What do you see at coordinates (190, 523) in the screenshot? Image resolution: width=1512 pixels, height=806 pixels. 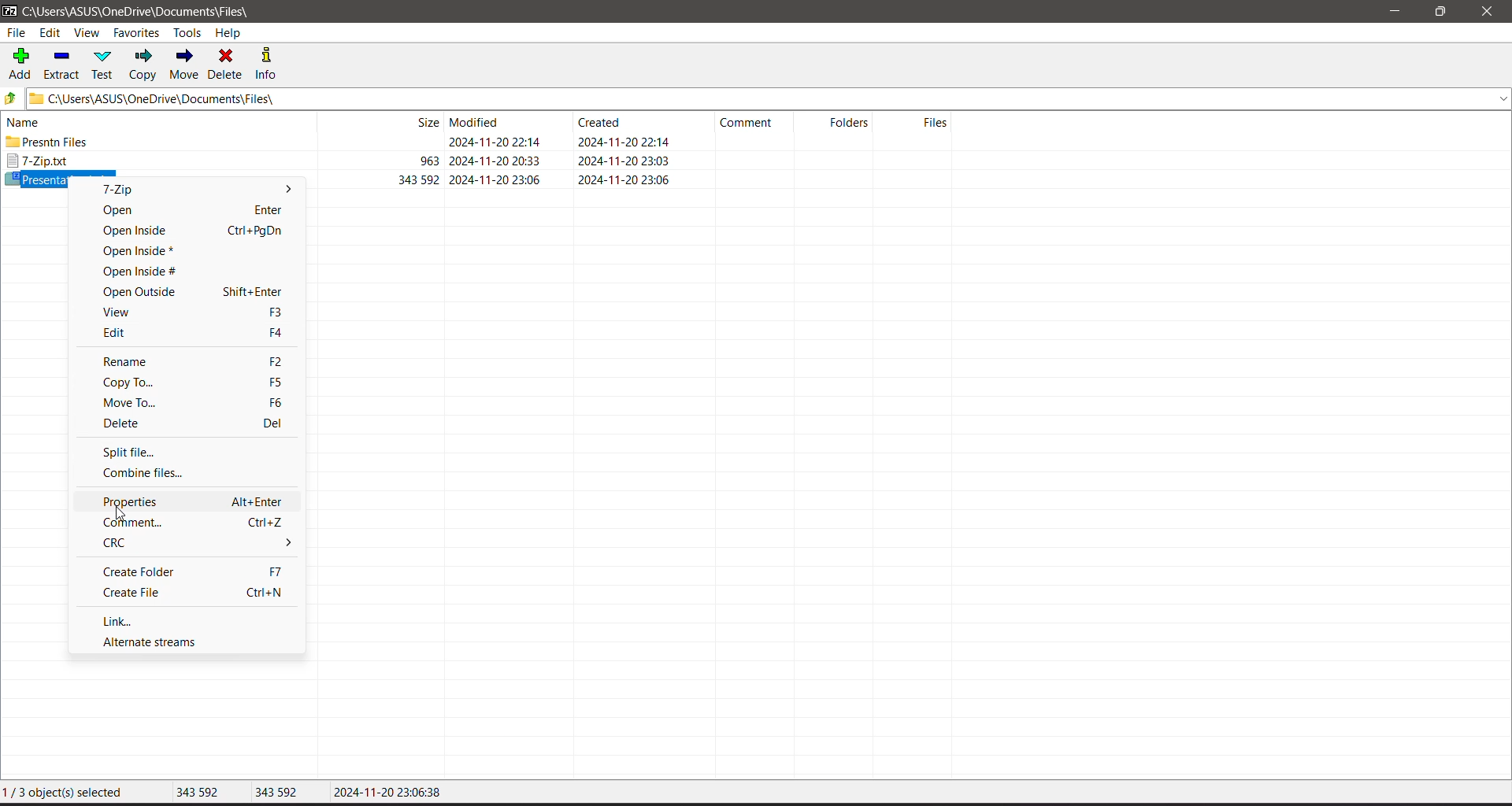 I see `Comment` at bounding box center [190, 523].